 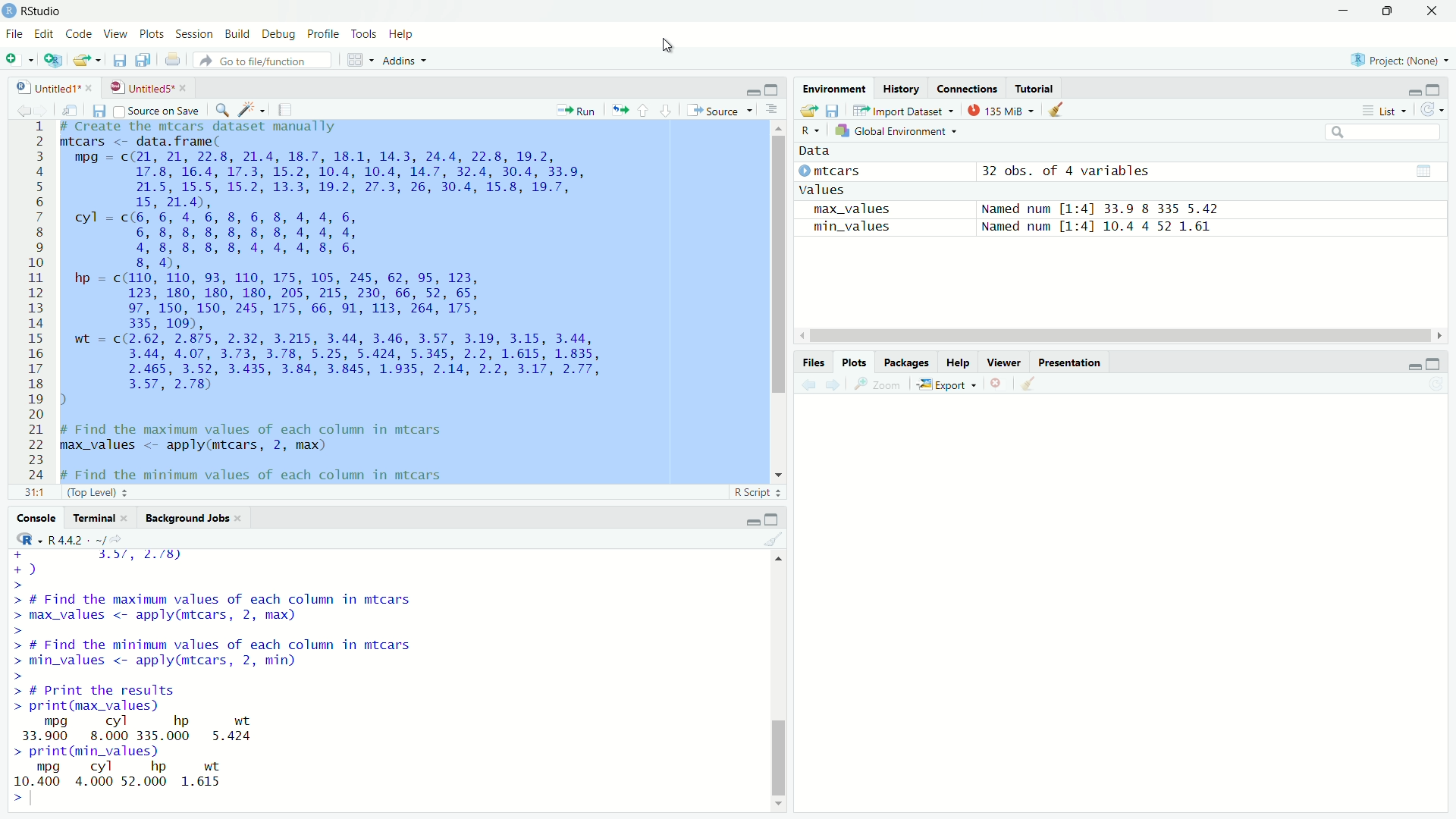 I want to click on «3 Export +, so click(x=949, y=384).